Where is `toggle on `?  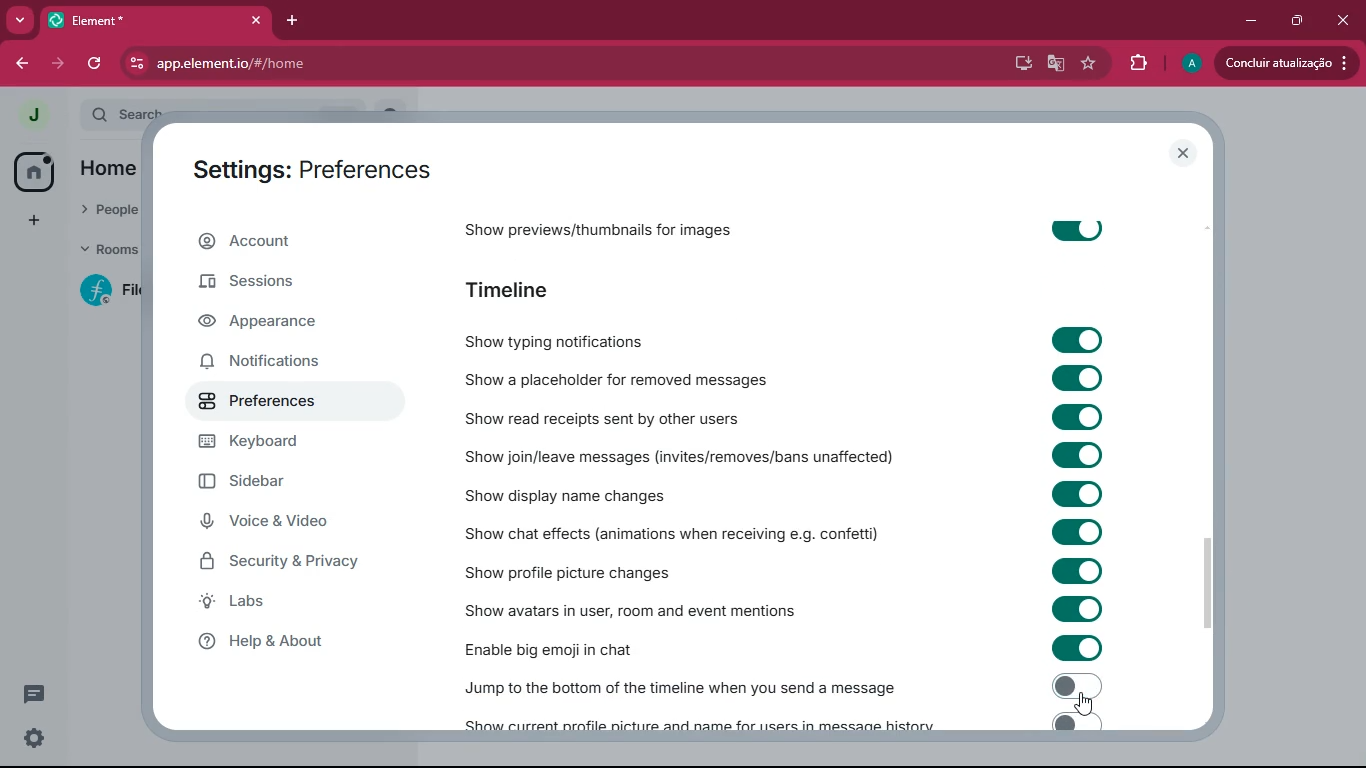 toggle on  is located at coordinates (1076, 492).